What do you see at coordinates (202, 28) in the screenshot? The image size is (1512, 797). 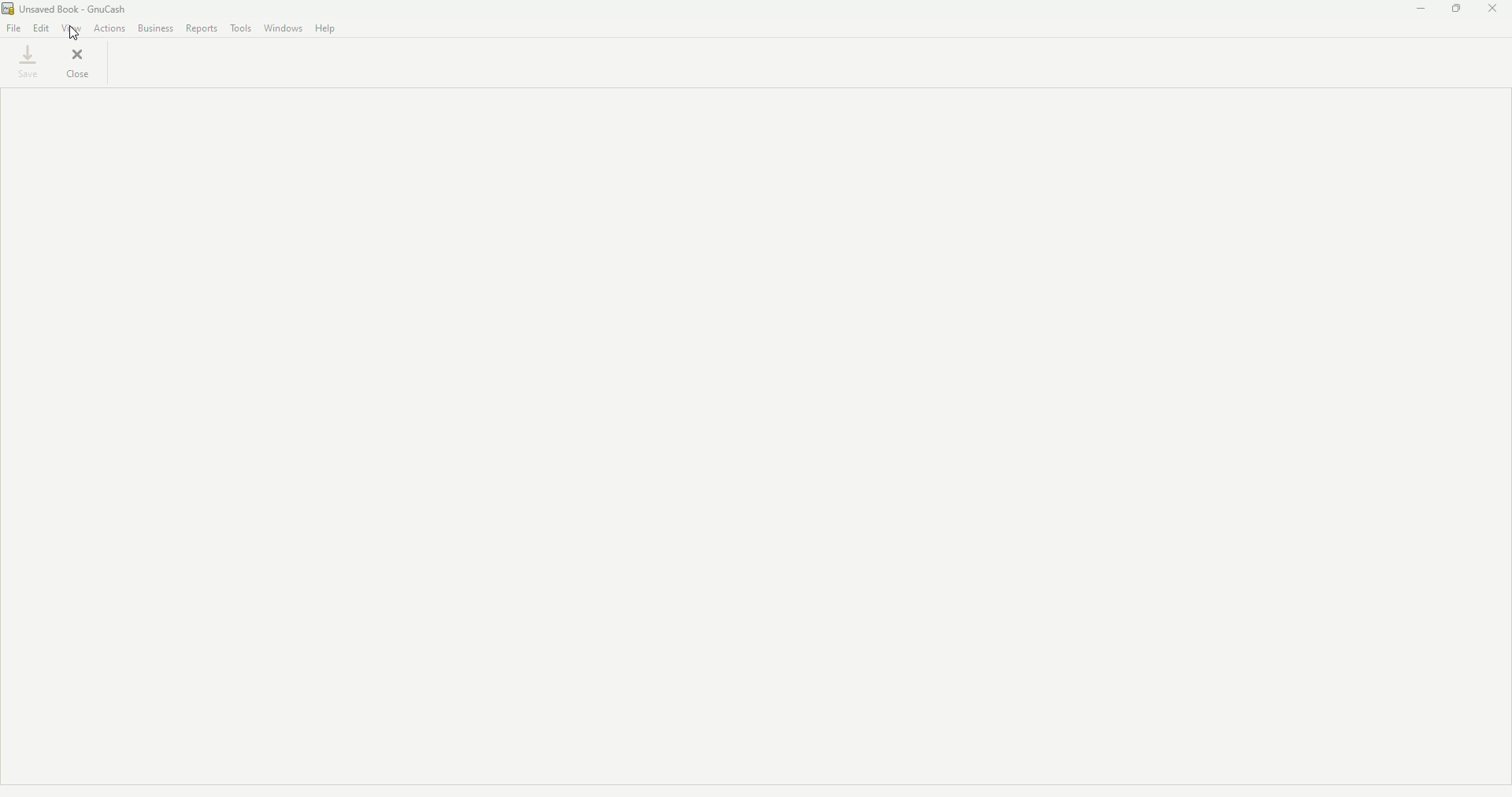 I see `Reports` at bounding box center [202, 28].